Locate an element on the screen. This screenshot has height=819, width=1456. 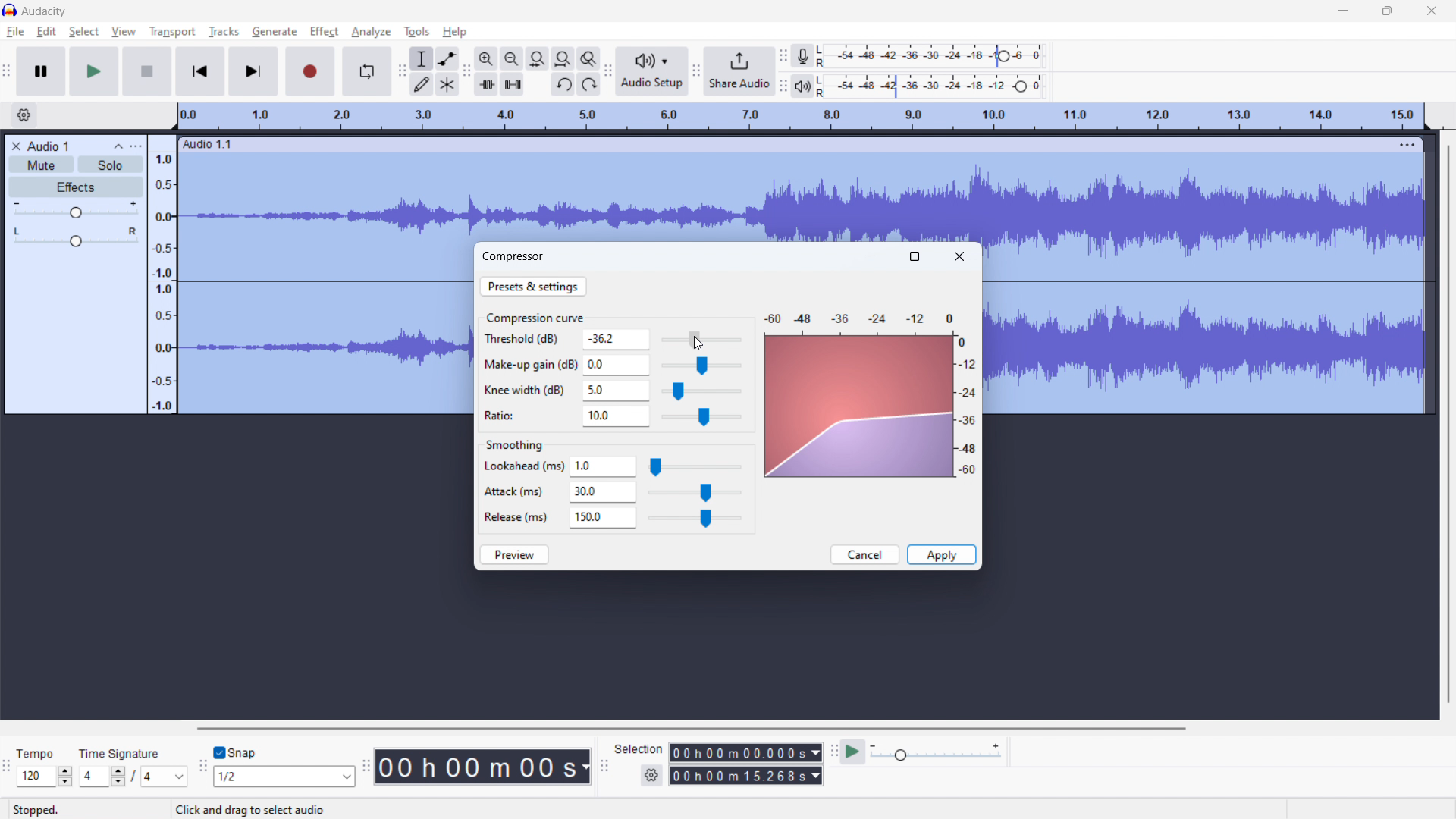
edit is located at coordinates (47, 31).